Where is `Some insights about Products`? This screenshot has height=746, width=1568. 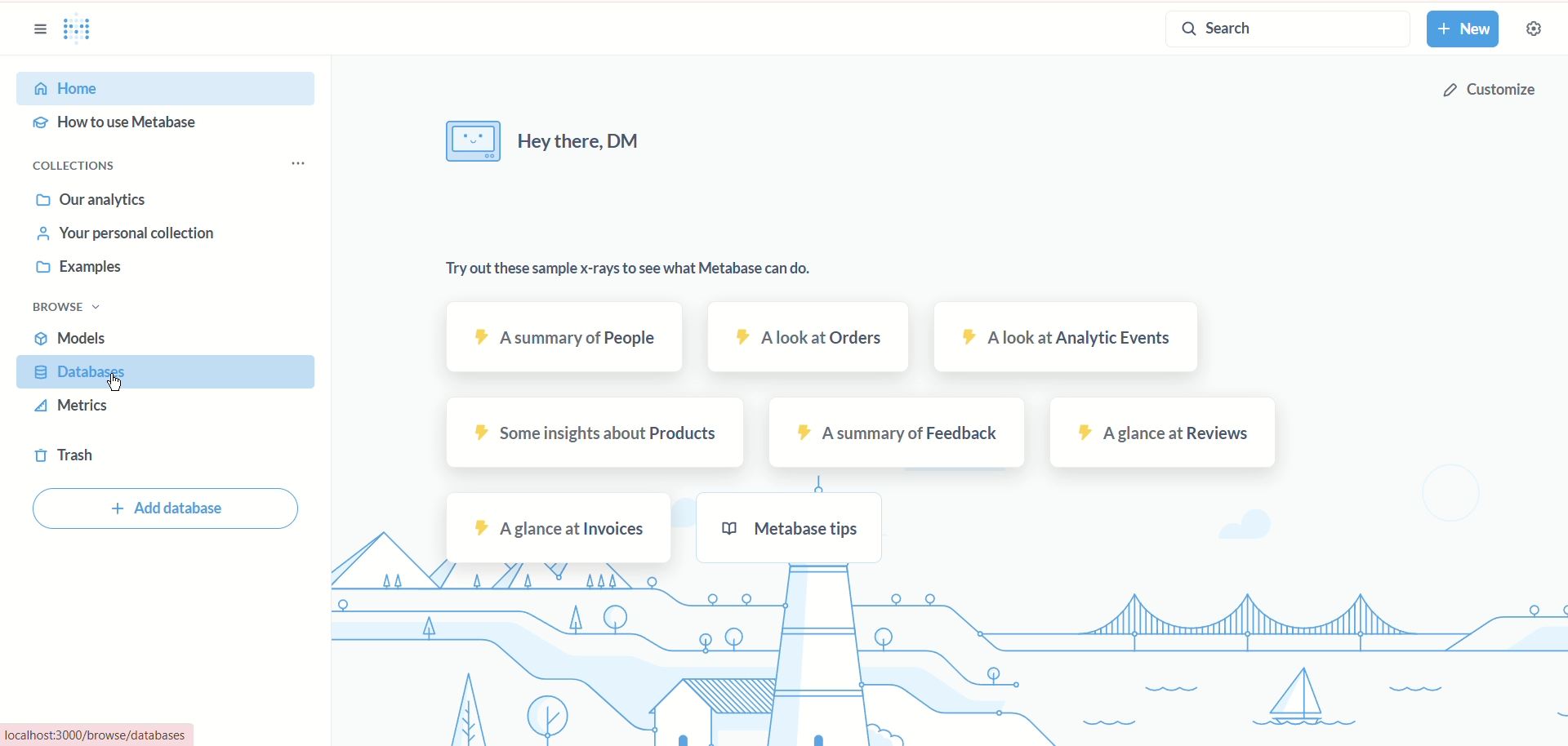 Some insights about Products is located at coordinates (590, 433).